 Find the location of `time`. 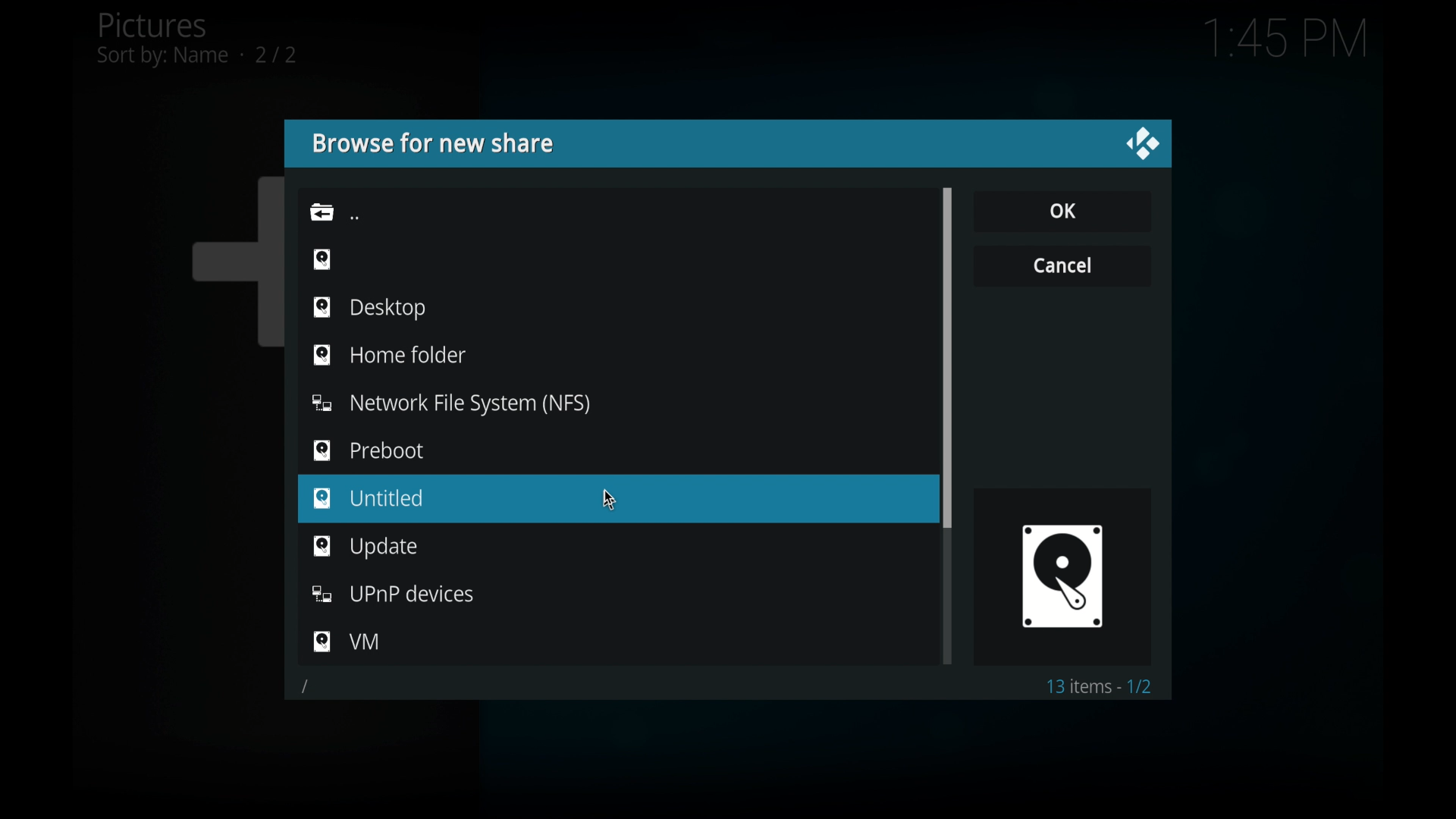

time is located at coordinates (1285, 39).